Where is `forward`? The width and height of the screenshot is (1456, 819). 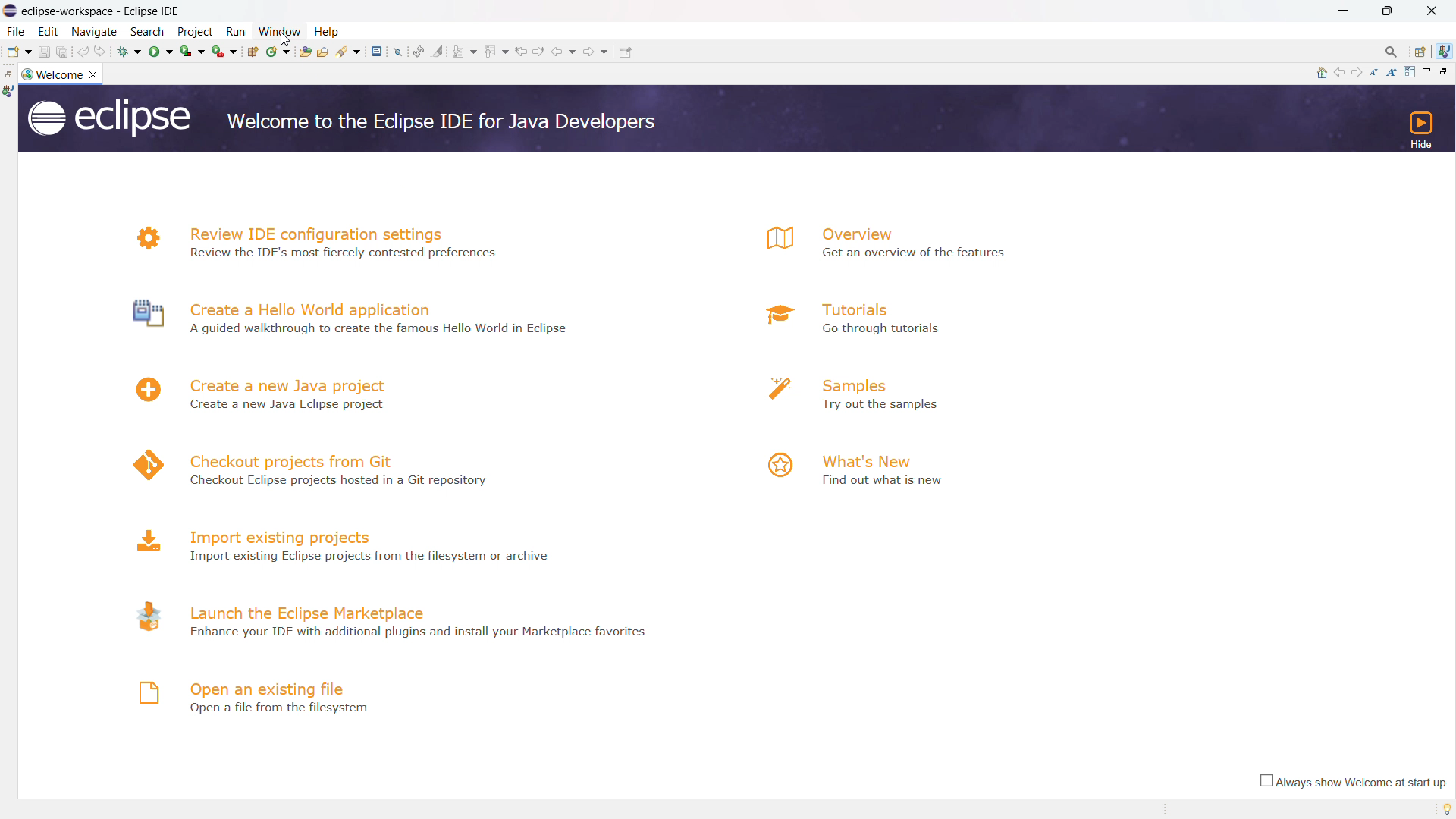
forward is located at coordinates (595, 51).